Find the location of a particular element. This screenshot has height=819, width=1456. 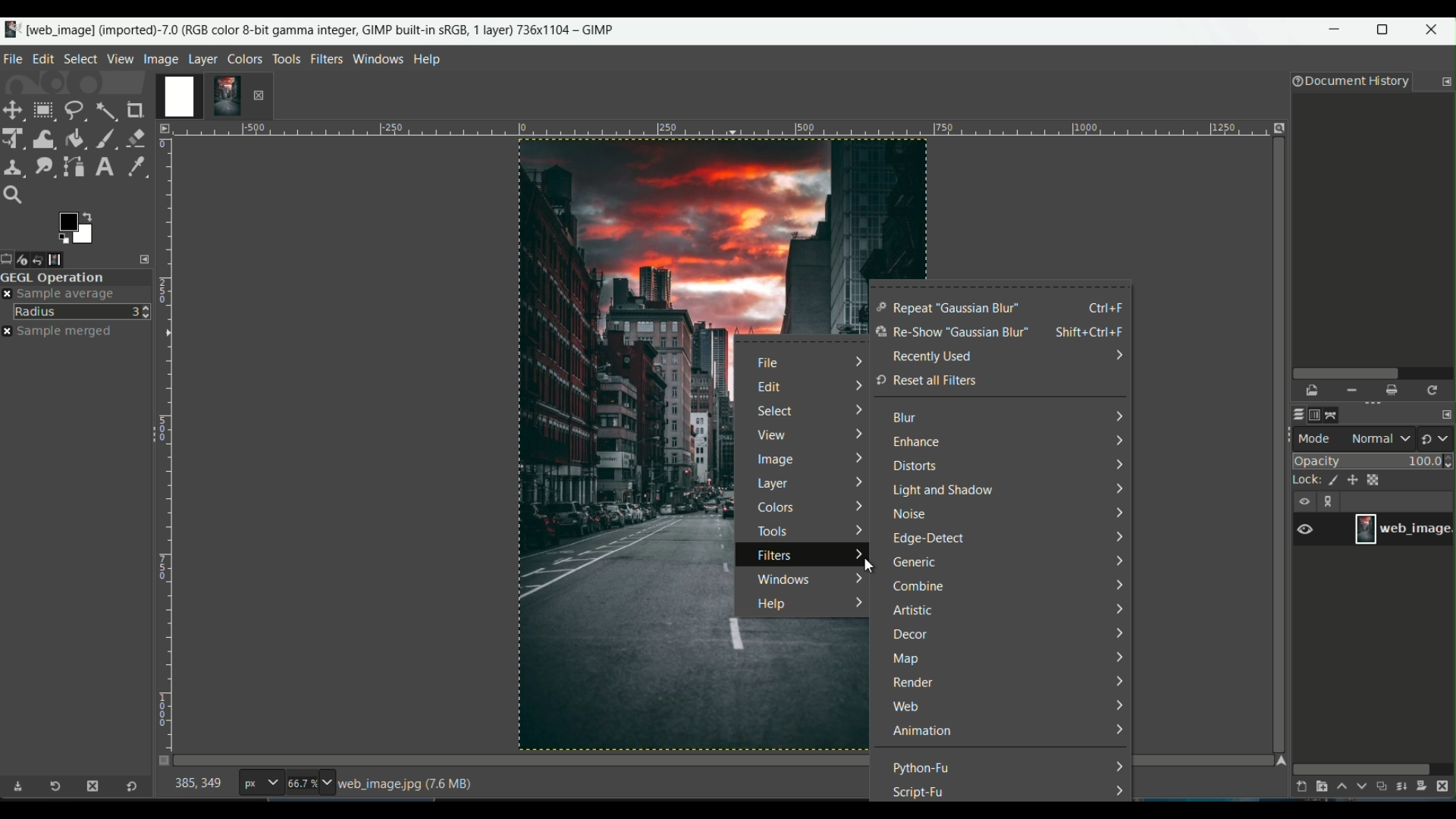

select is located at coordinates (777, 411).